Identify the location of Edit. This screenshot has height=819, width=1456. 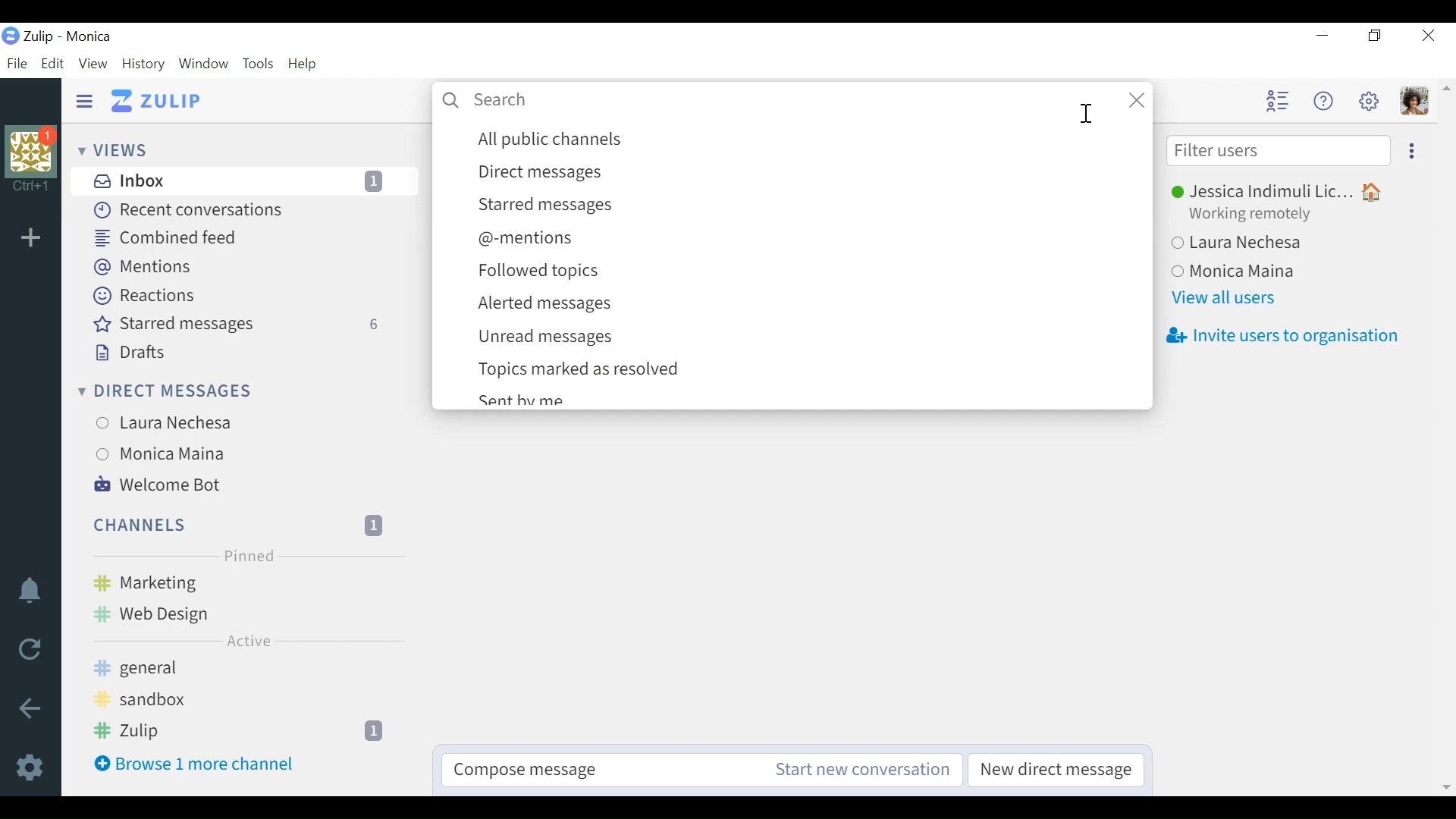
(56, 65).